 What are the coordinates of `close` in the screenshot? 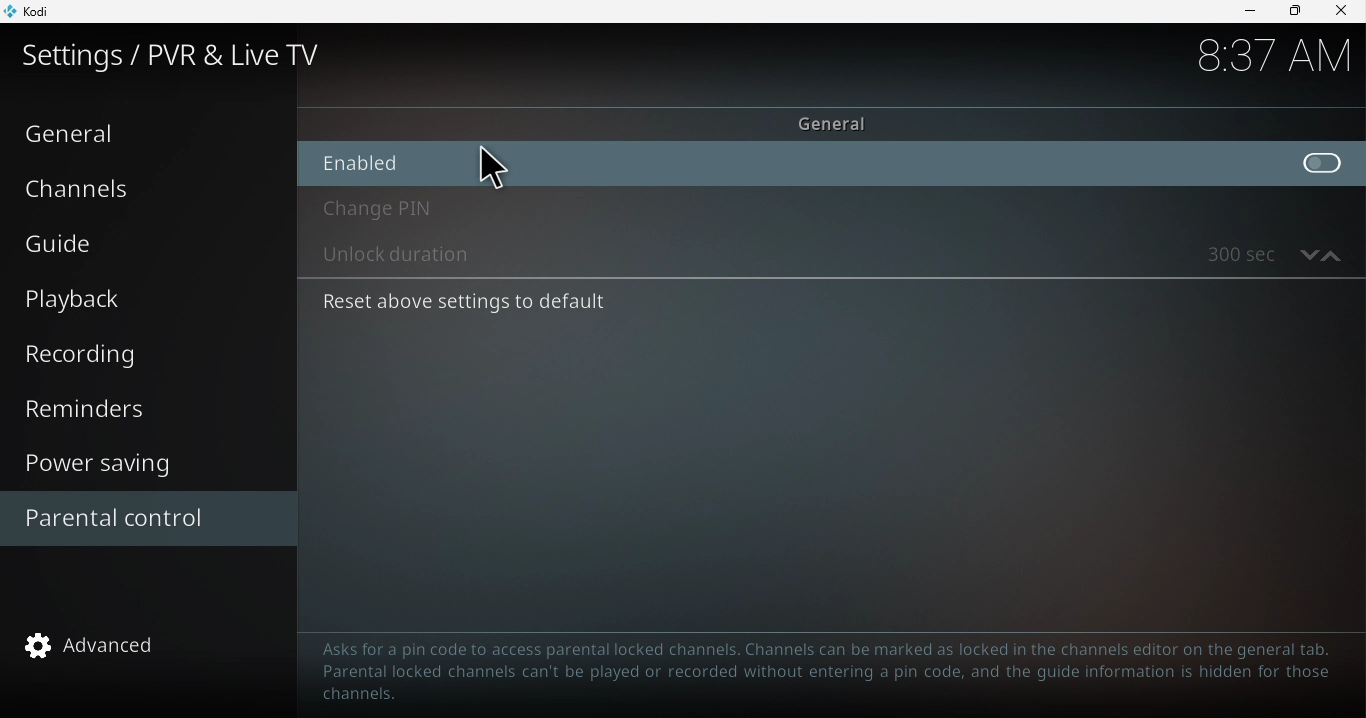 It's located at (1344, 13).